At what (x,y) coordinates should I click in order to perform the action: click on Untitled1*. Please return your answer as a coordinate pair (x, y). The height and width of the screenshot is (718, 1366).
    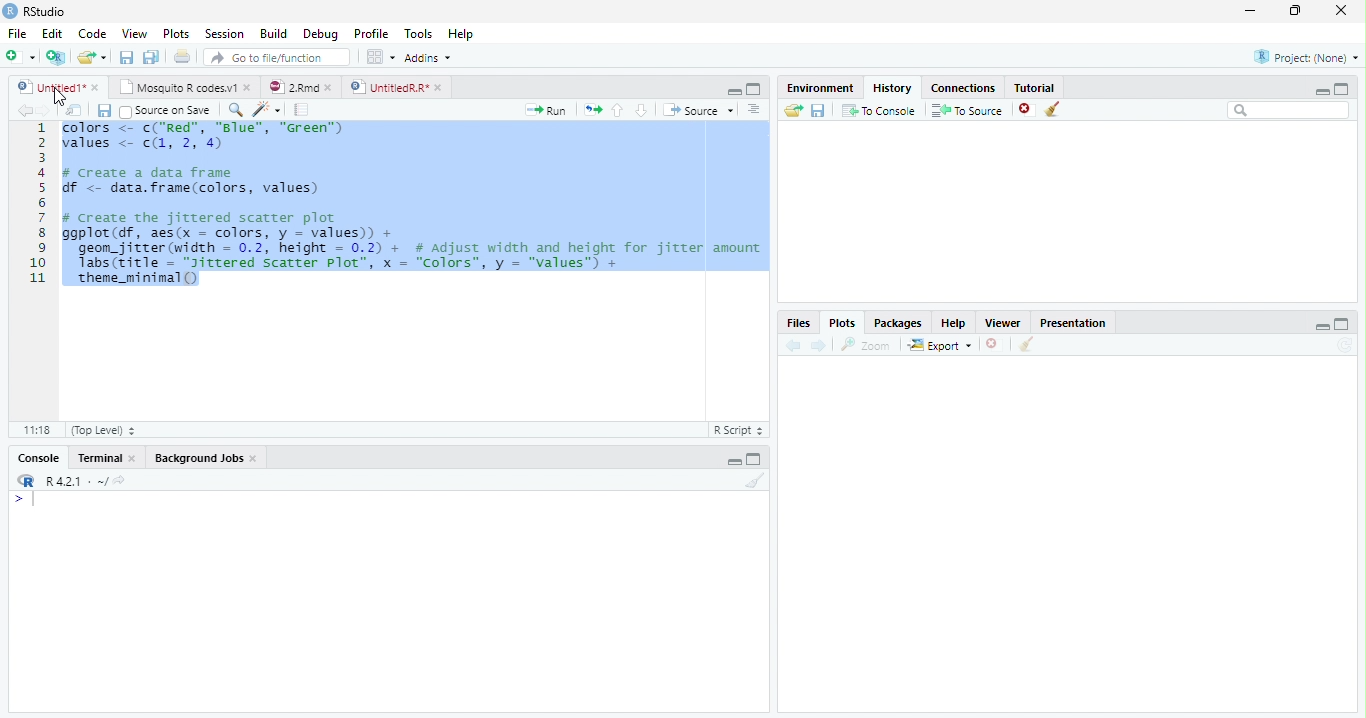
    Looking at the image, I should click on (50, 88).